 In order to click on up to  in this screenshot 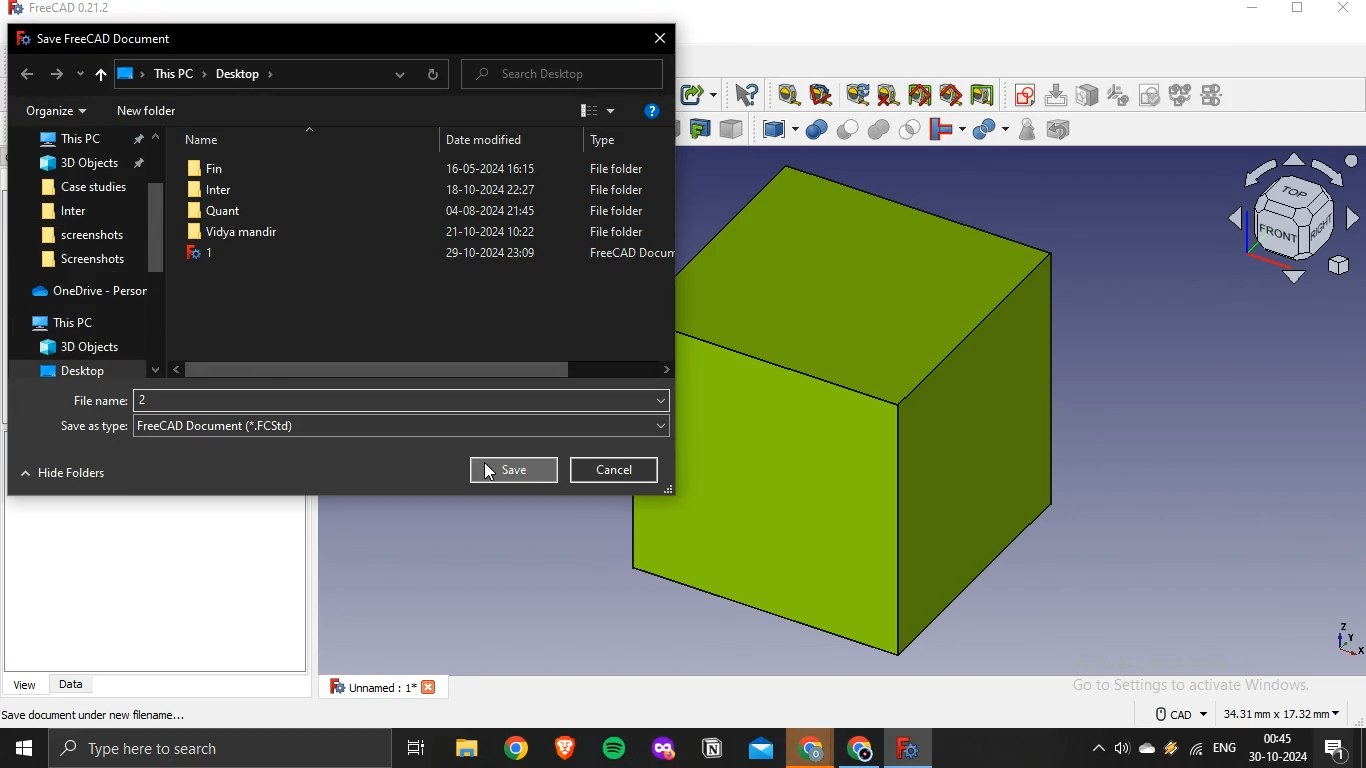, I will do `click(101, 75)`.